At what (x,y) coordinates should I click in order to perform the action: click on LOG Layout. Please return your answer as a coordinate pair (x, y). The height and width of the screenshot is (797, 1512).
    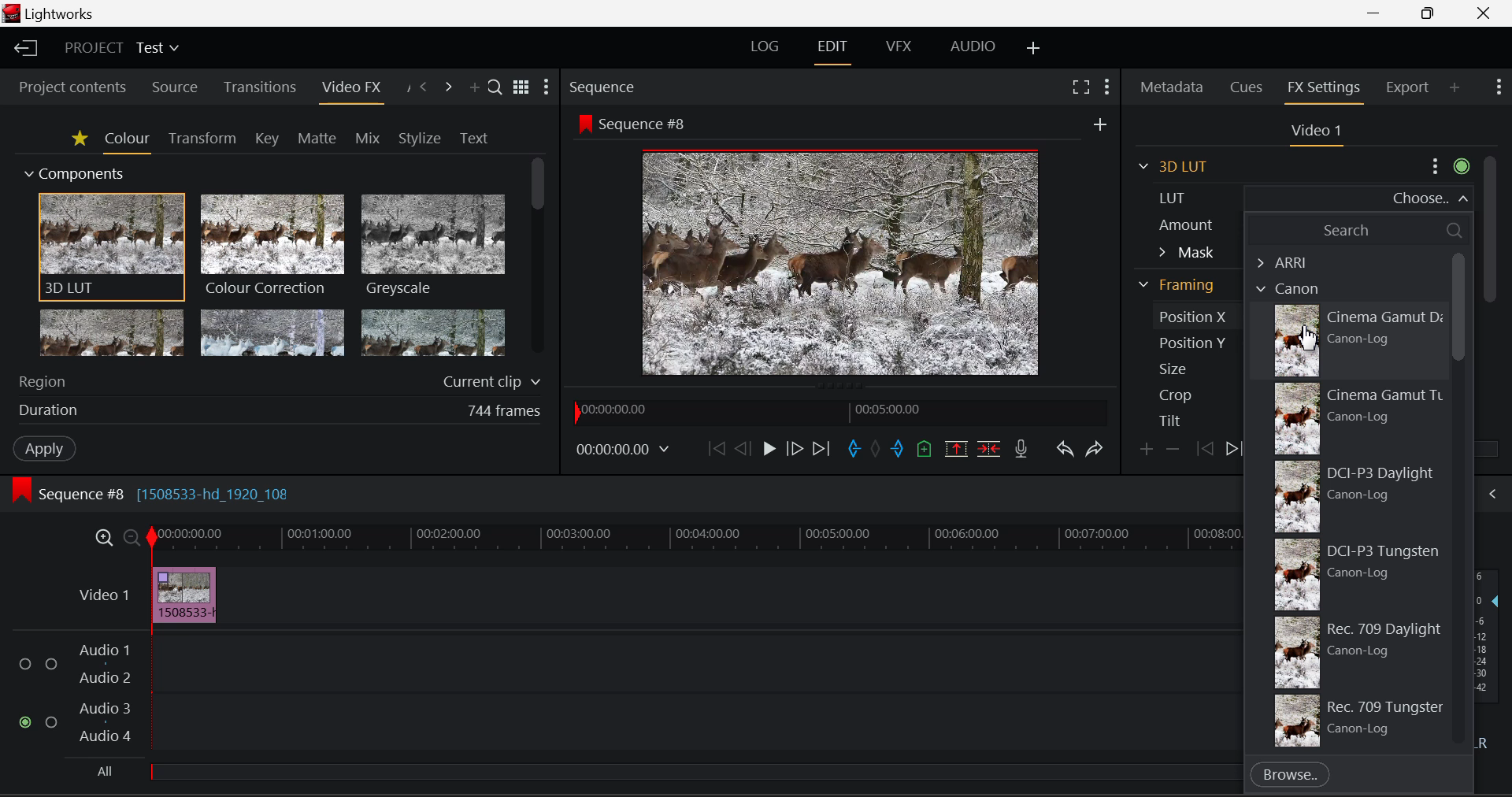
    Looking at the image, I should click on (766, 51).